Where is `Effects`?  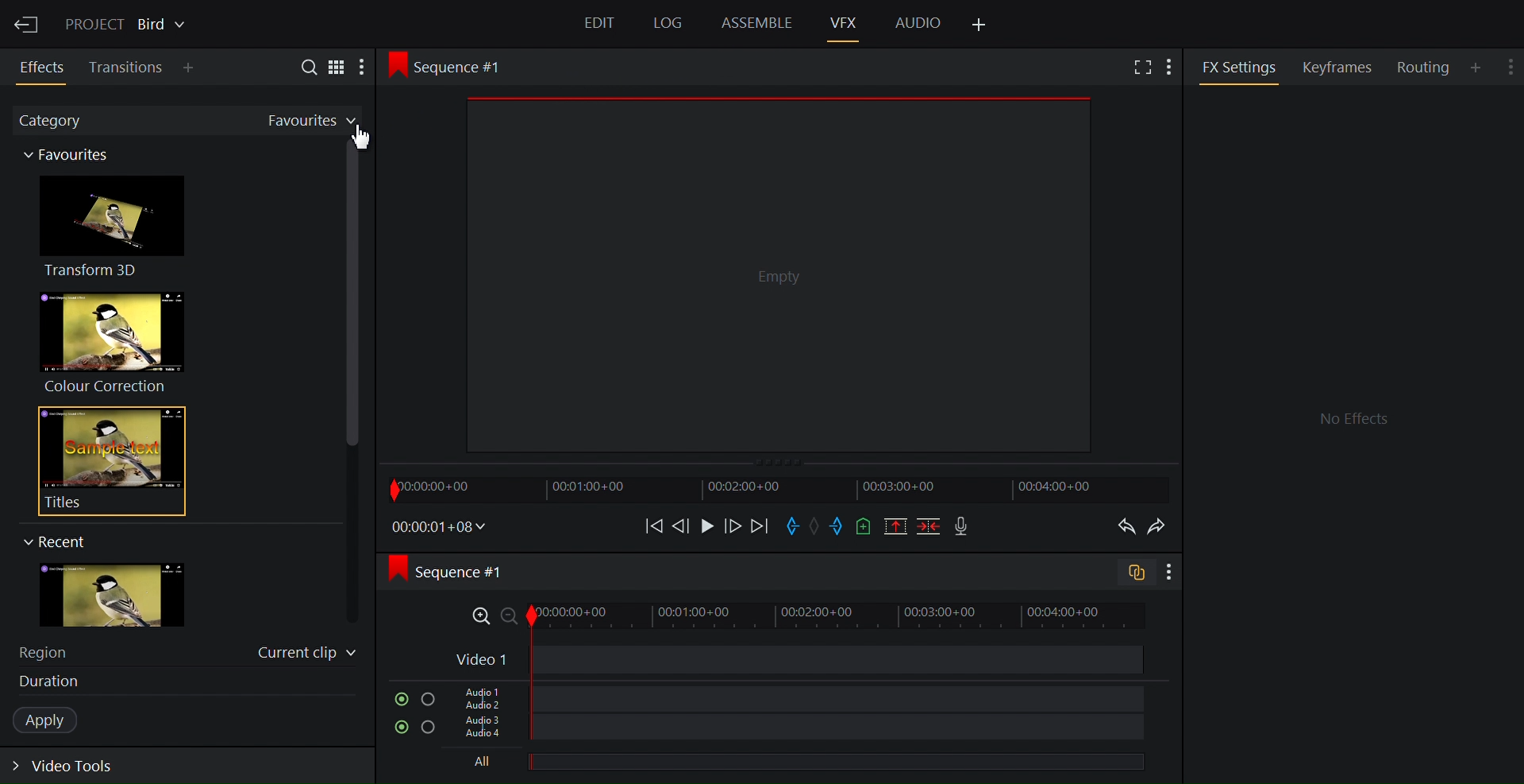
Effects is located at coordinates (44, 67).